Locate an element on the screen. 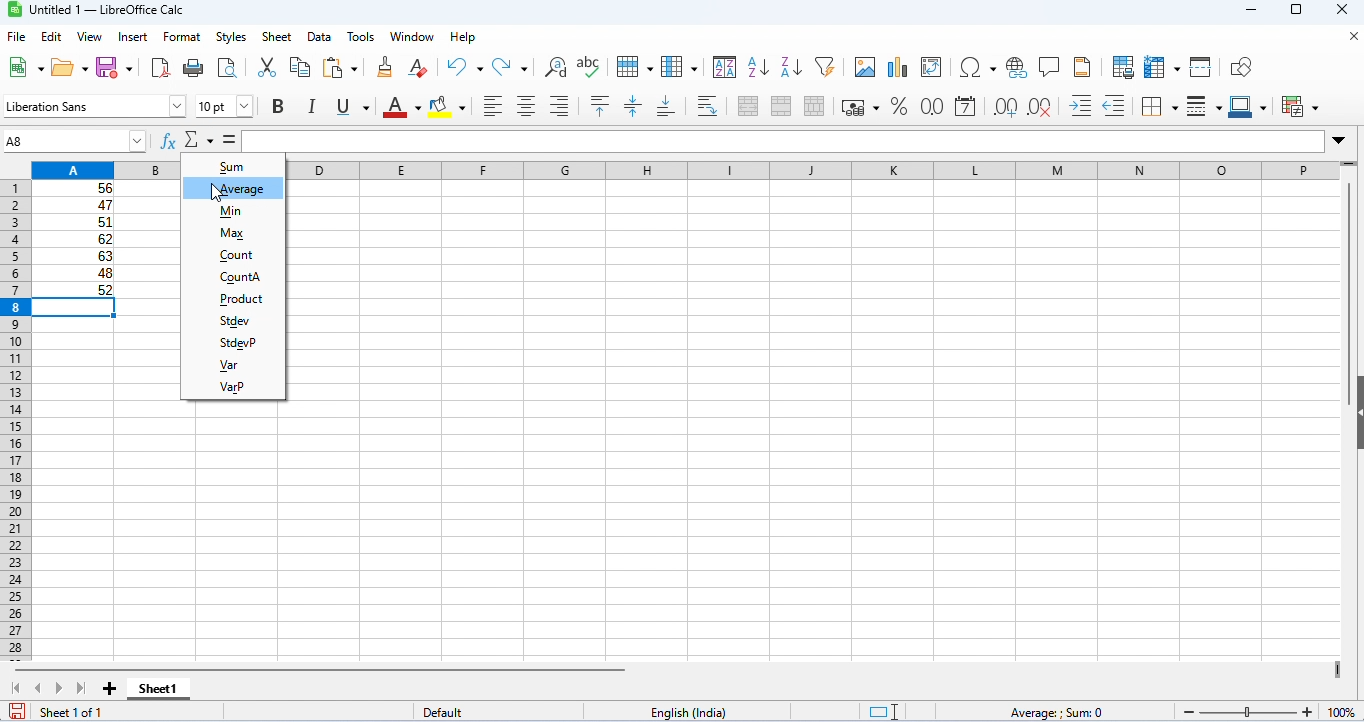 This screenshot has width=1364, height=722. stdevp is located at coordinates (236, 343).